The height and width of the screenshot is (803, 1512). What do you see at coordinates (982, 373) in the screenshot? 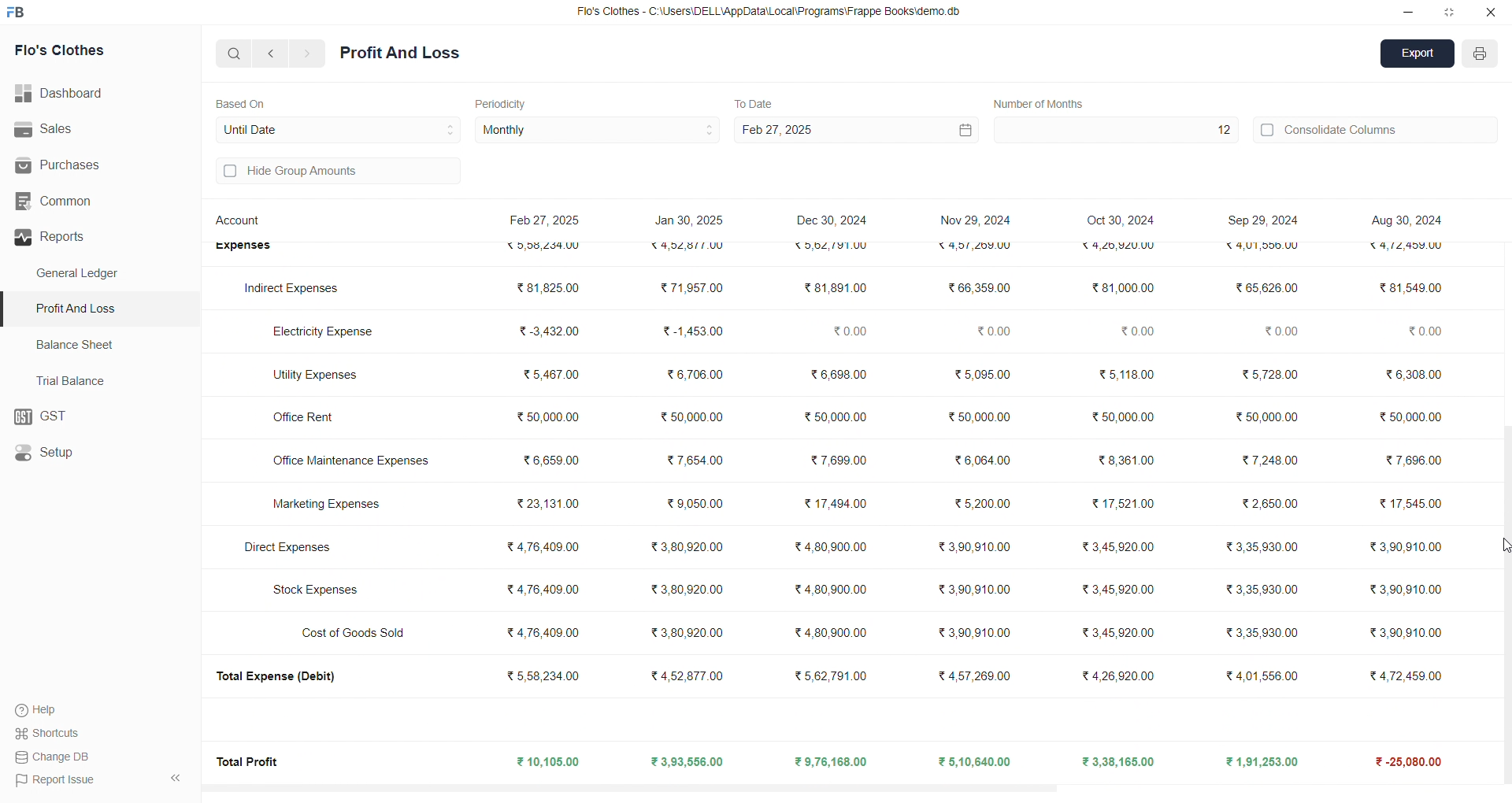
I see `₹5,095.00` at bounding box center [982, 373].